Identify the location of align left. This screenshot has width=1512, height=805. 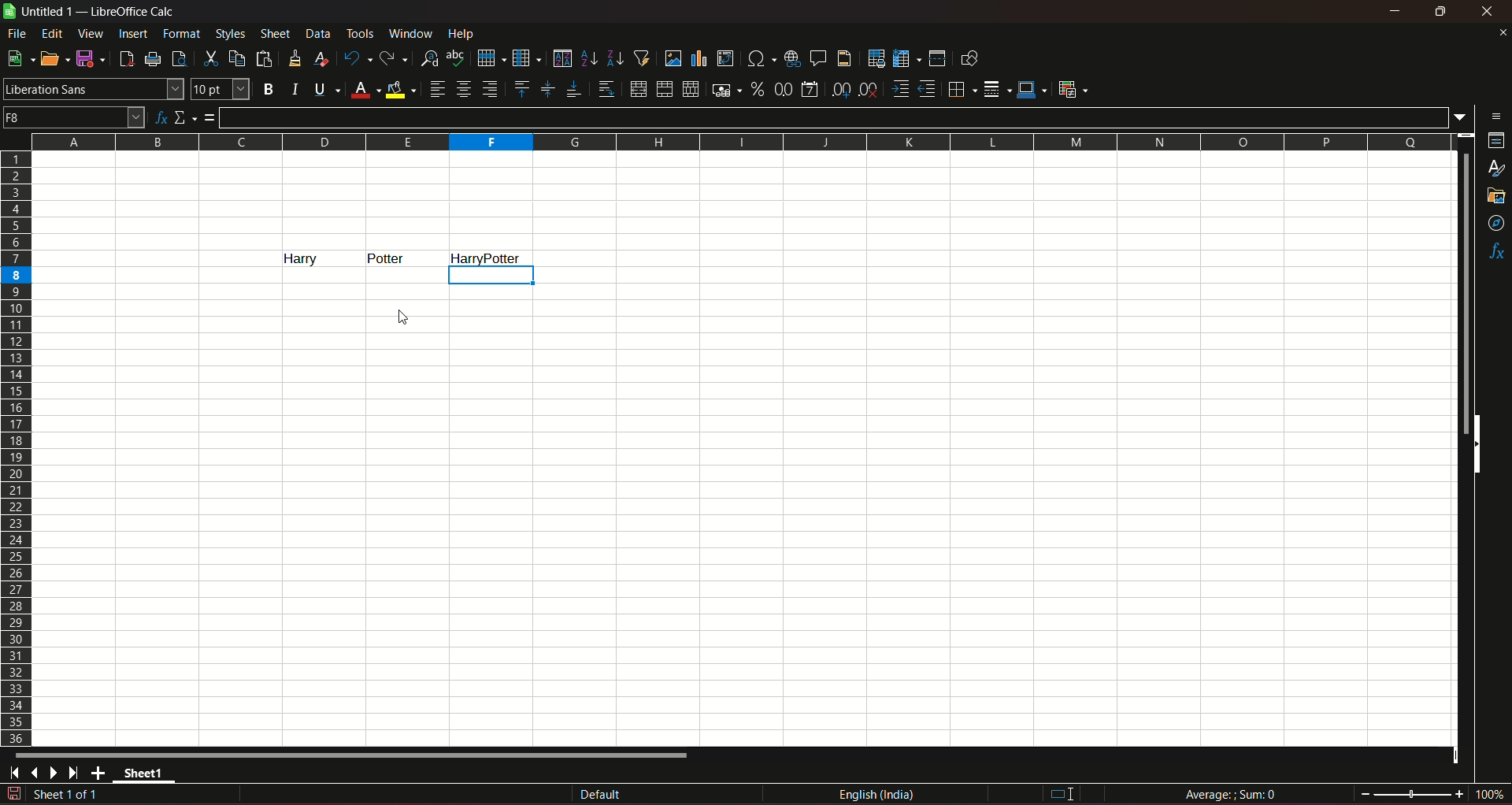
(437, 89).